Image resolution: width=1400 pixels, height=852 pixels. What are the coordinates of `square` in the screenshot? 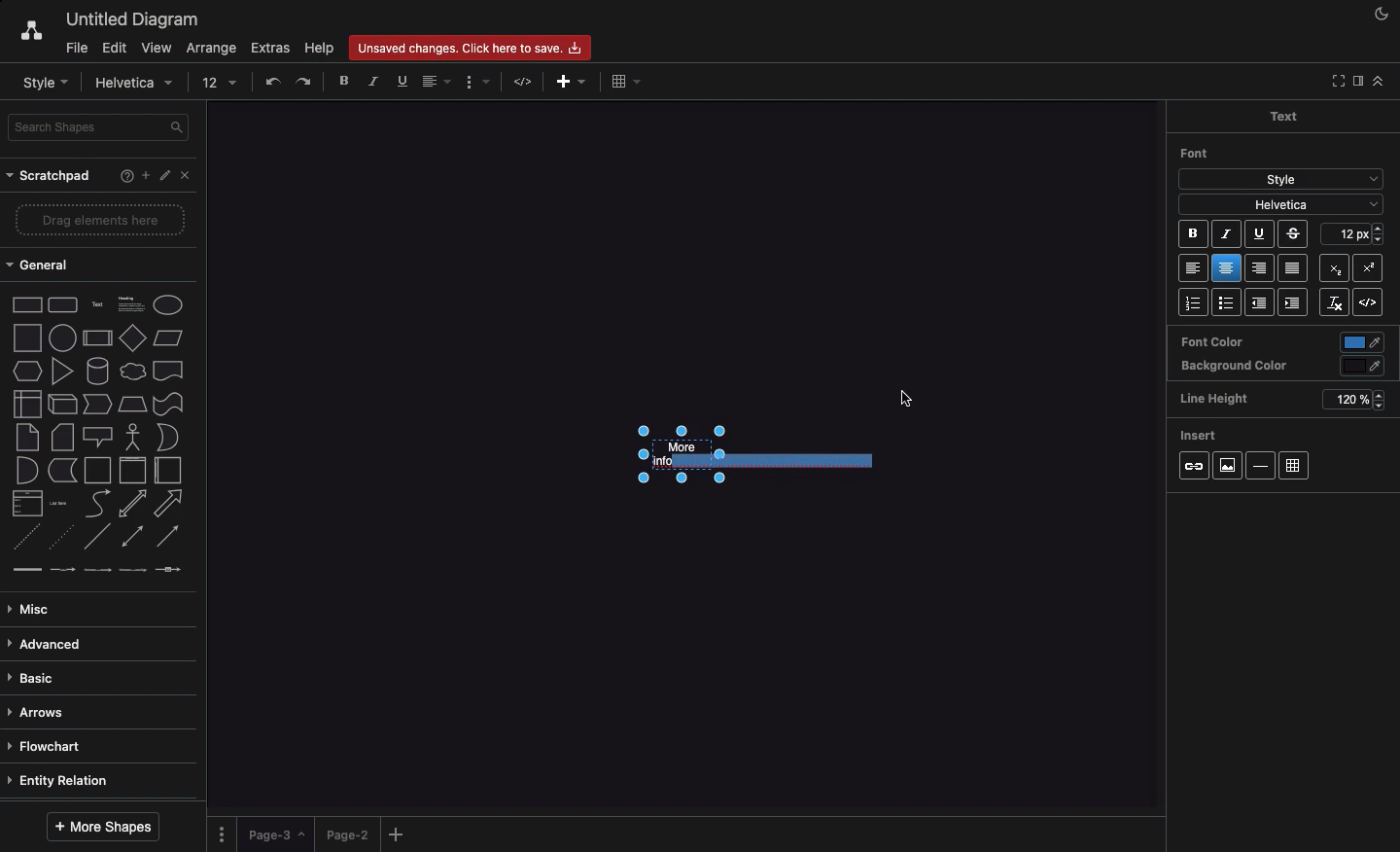 It's located at (27, 337).